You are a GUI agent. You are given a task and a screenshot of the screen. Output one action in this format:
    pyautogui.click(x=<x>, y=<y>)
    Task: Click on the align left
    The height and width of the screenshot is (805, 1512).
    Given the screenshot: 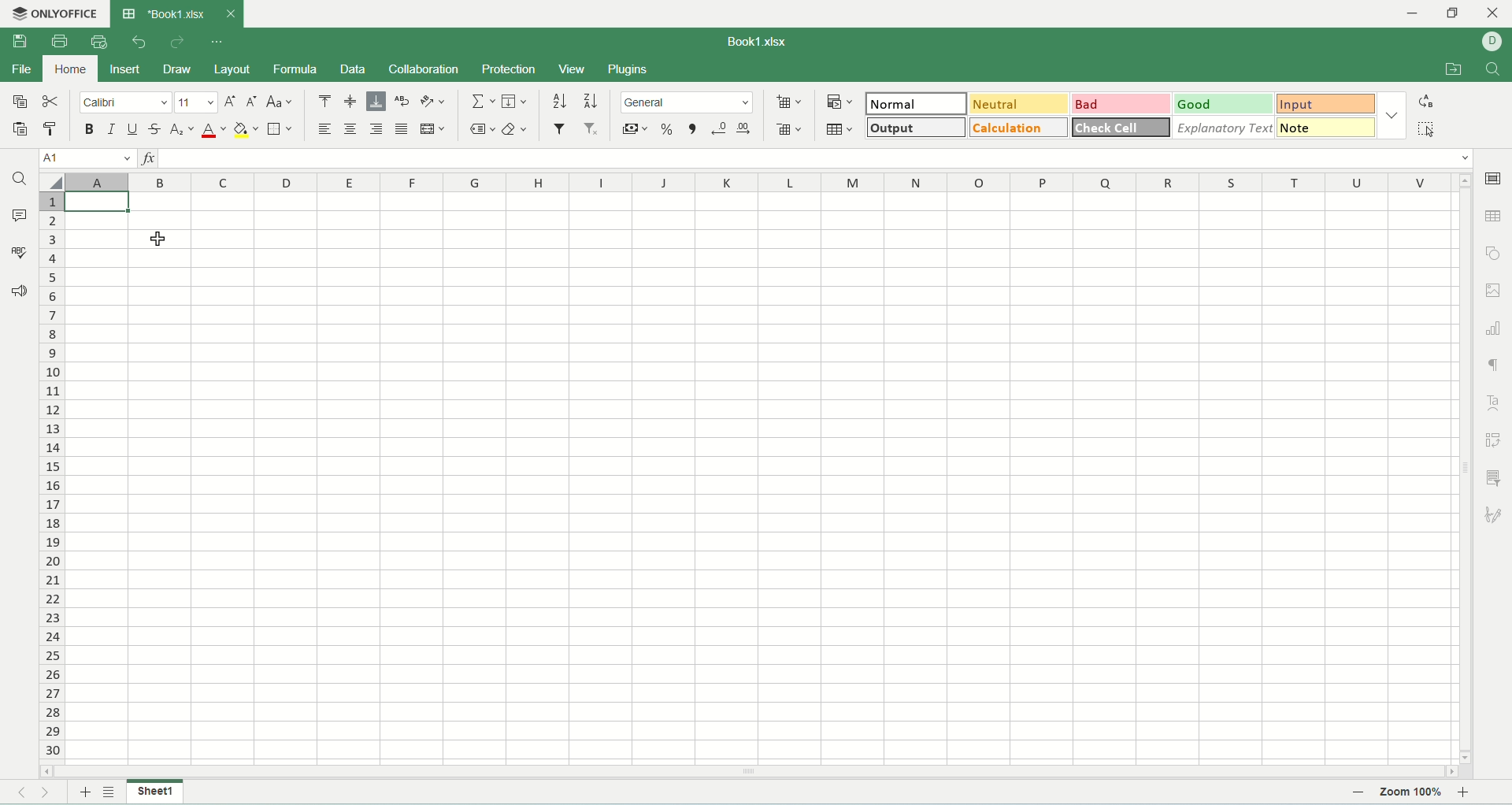 What is the action you would take?
    pyautogui.click(x=324, y=130)
    